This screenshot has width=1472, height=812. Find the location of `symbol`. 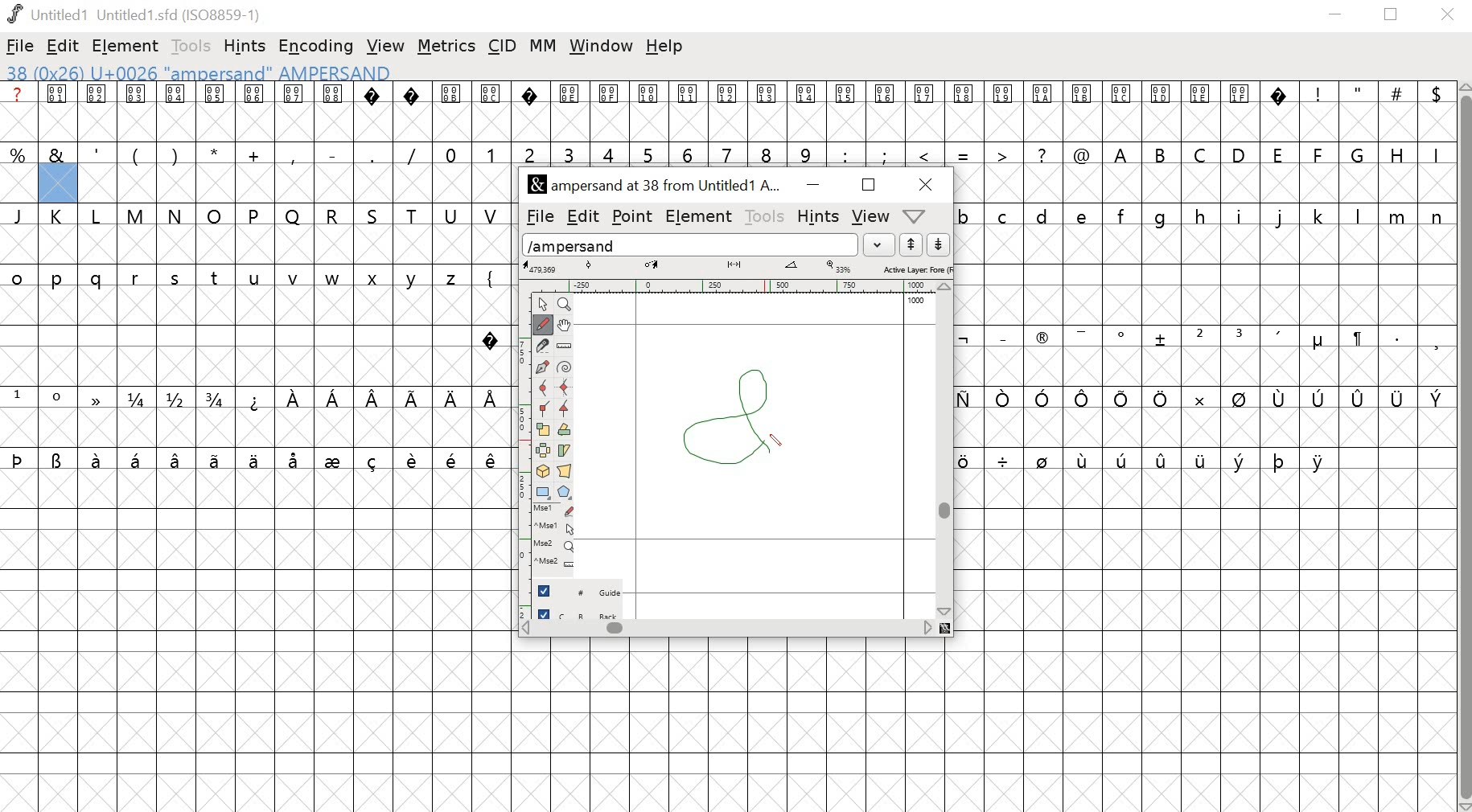

symbol is located at coordinates (1163, 457).